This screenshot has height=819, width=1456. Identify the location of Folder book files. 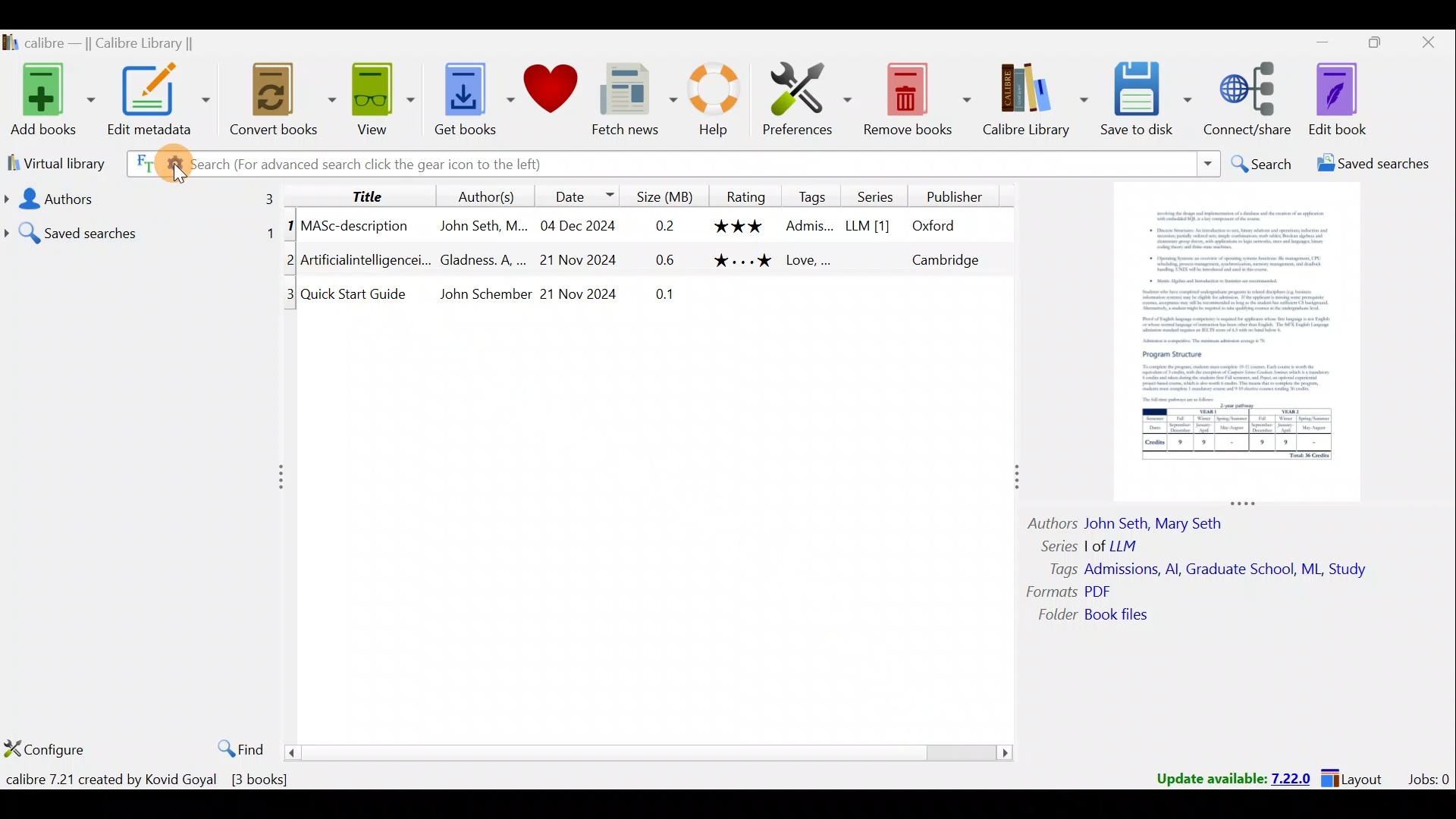
(1105, 616).